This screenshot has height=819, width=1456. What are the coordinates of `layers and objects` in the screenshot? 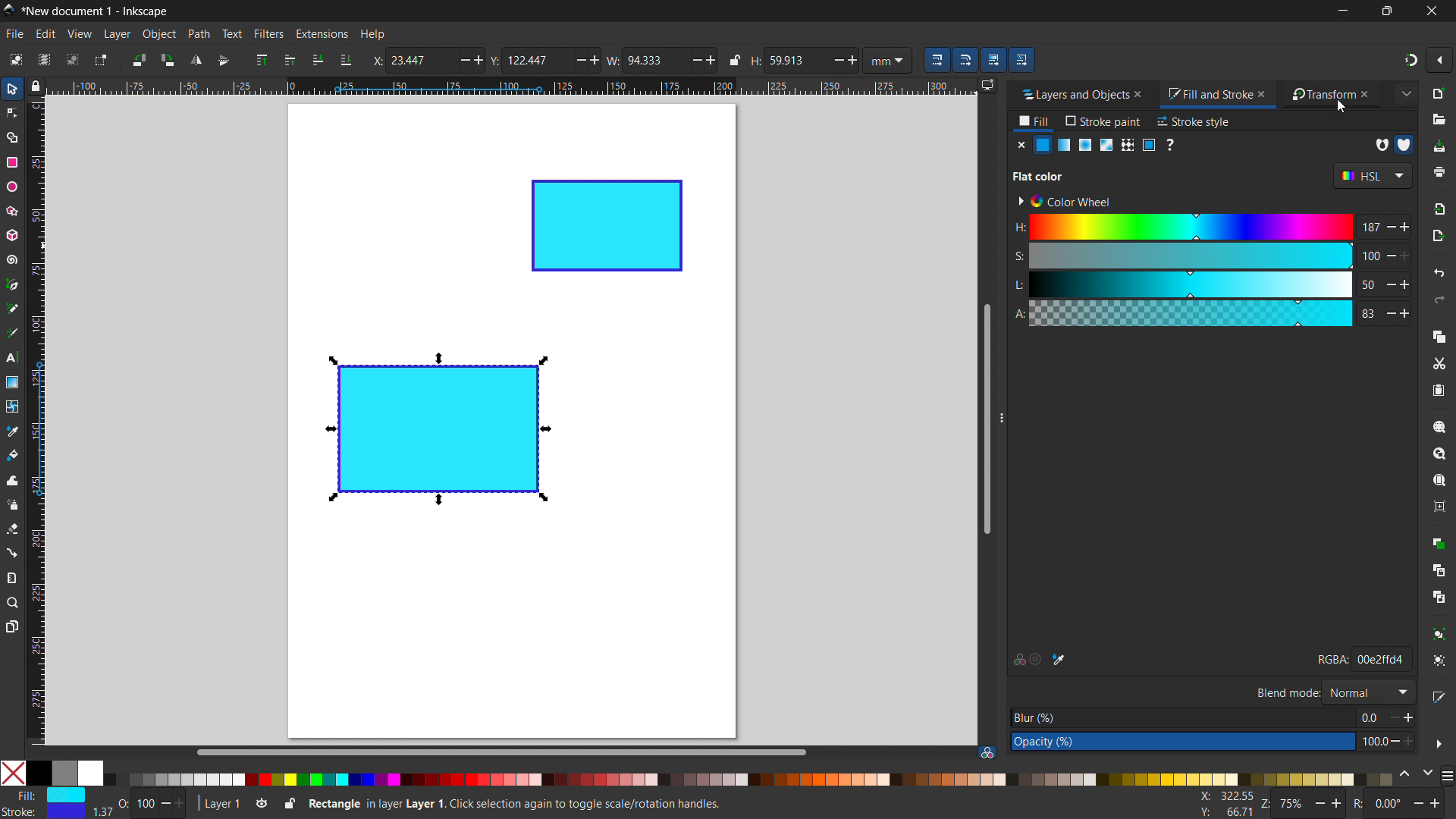 It's located at (1070, 94).